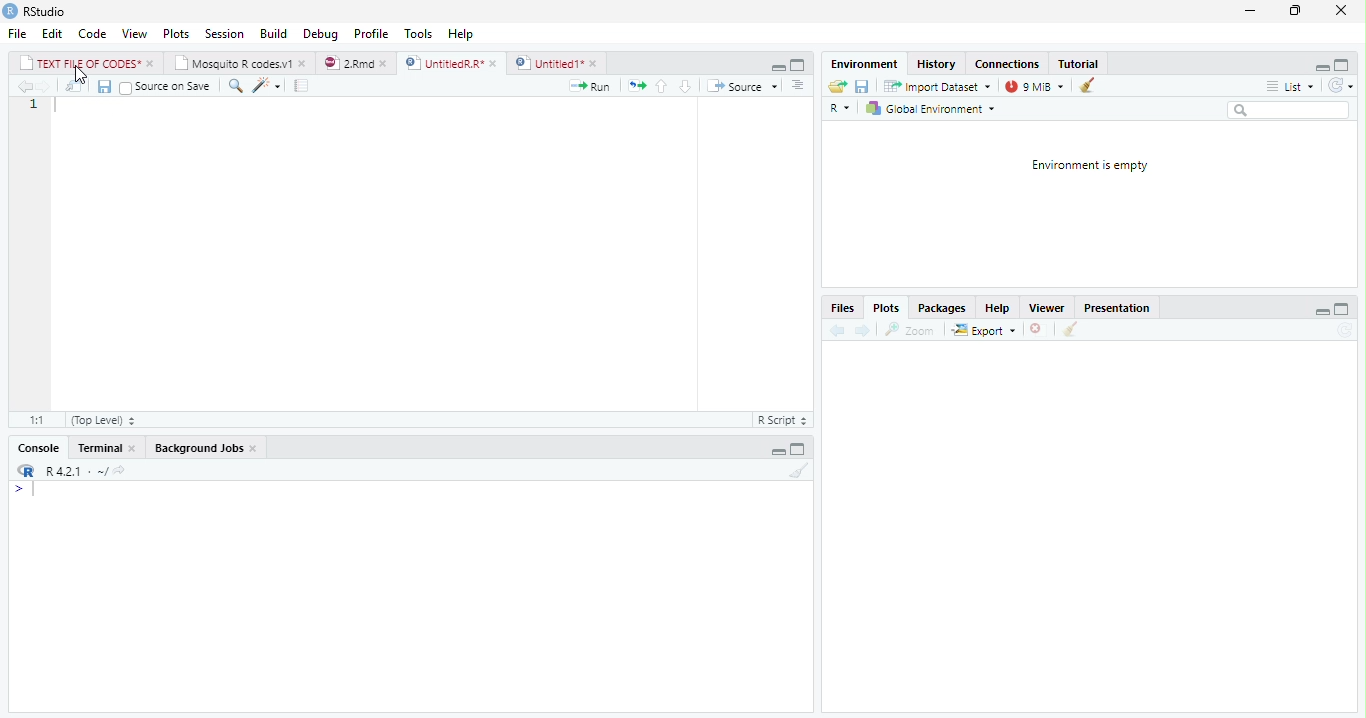 Image resolution: width=1366 pixels, height=718 pixels. What do you see at coordinates (800, 471) in the screenshot?
I see `clear console` at bounding box center [800, 471].